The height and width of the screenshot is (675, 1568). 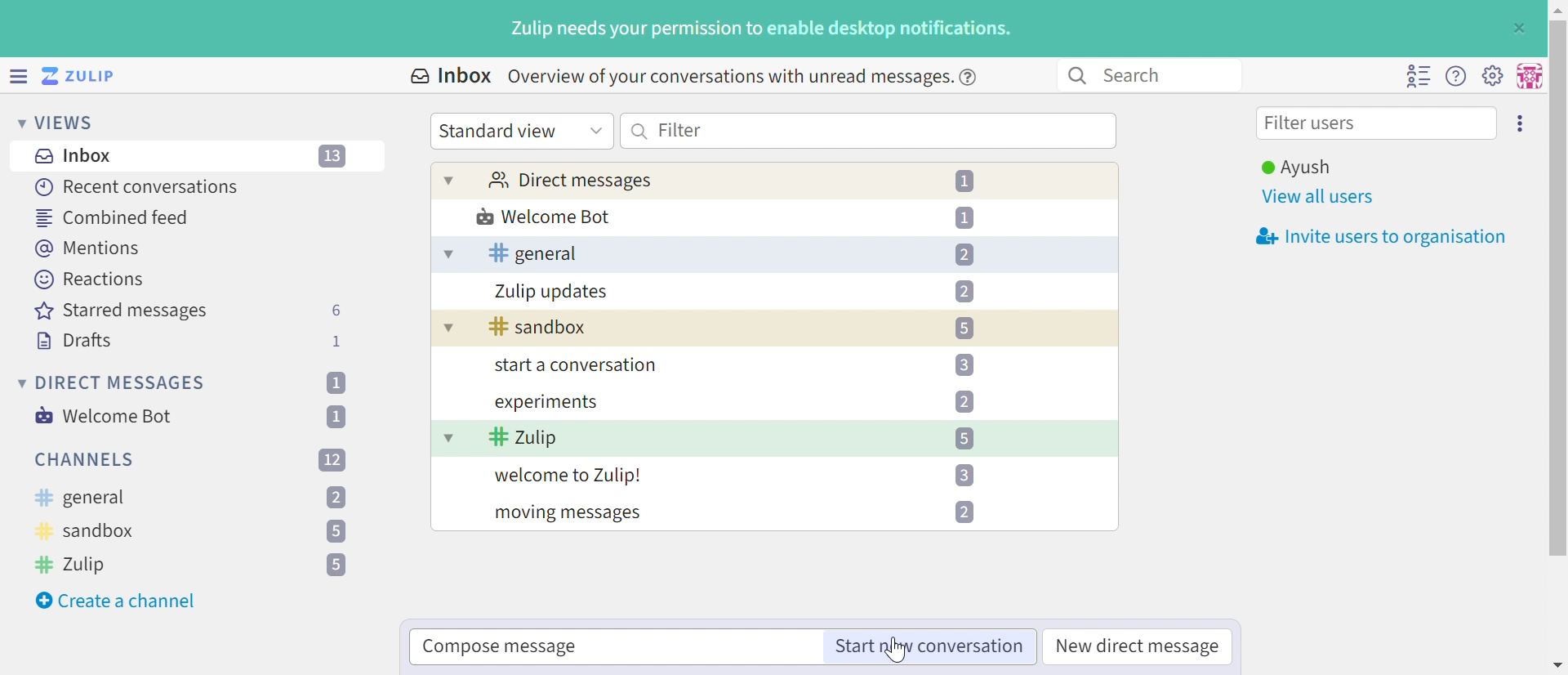 I want to click on CHANNELS, so click(x=86, y=460).